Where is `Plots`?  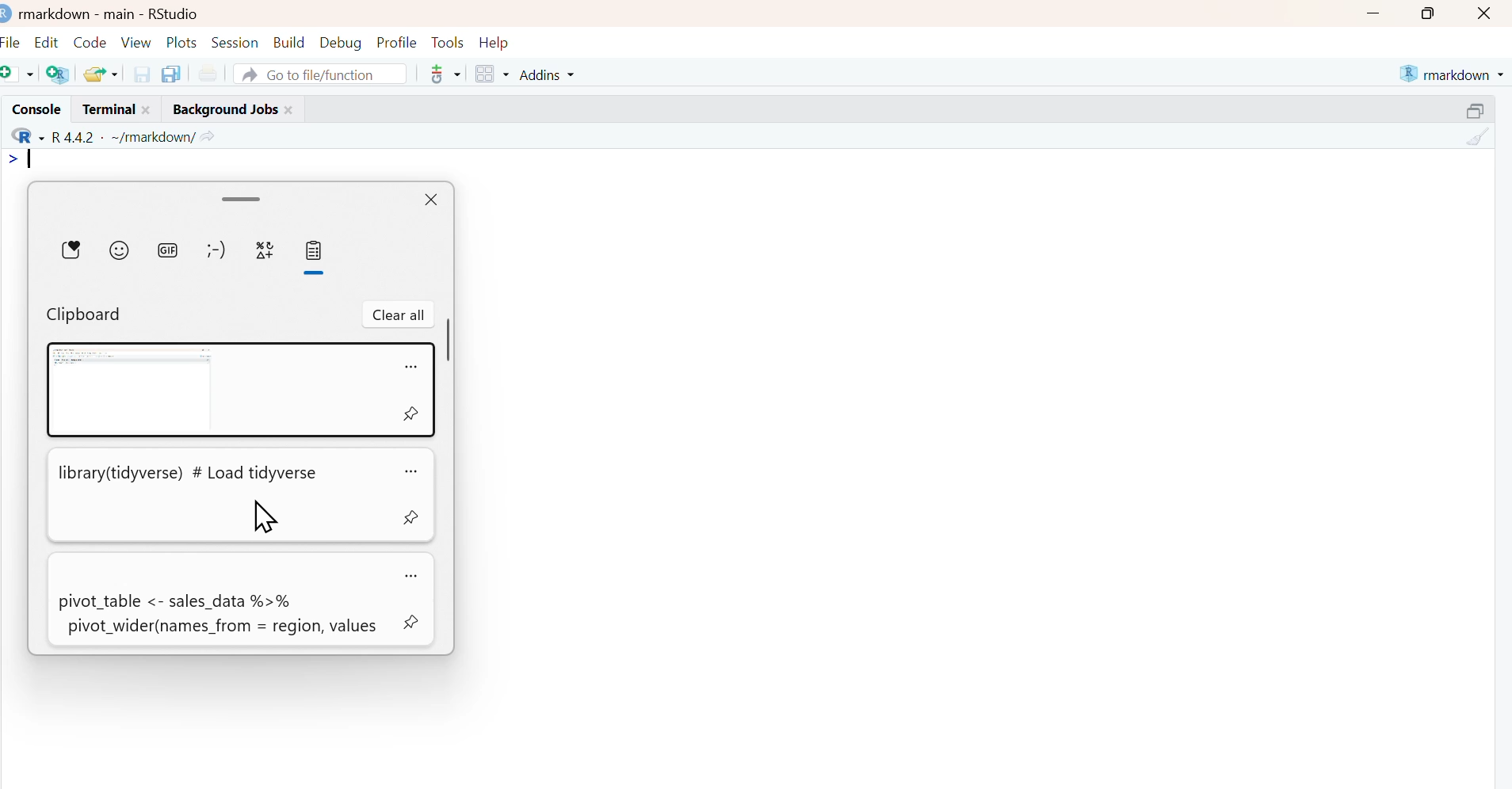
Plots is located at coordinates (182, 40).